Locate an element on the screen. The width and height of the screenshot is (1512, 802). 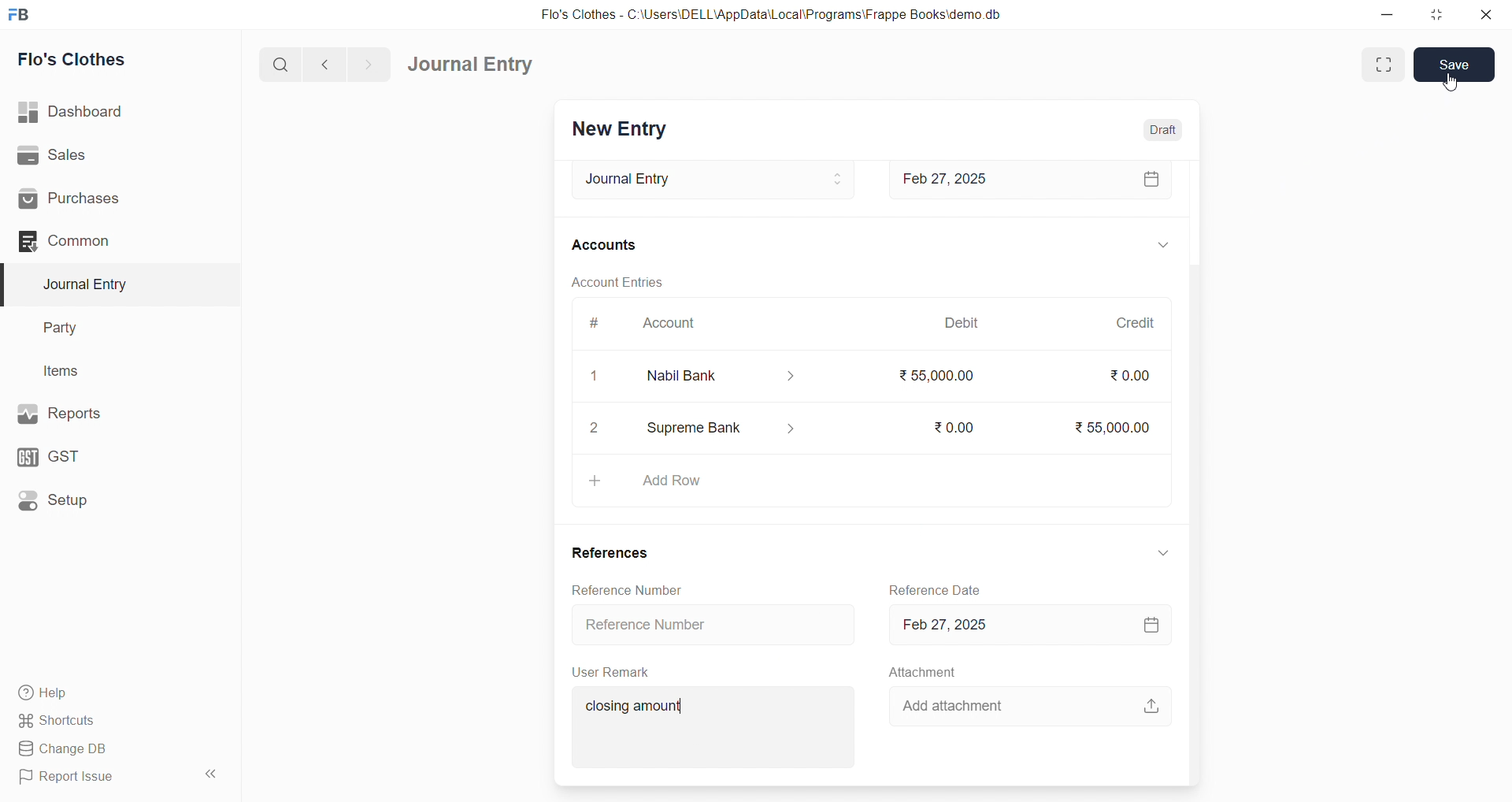
navigate forward is located at coordinates (372, 64).